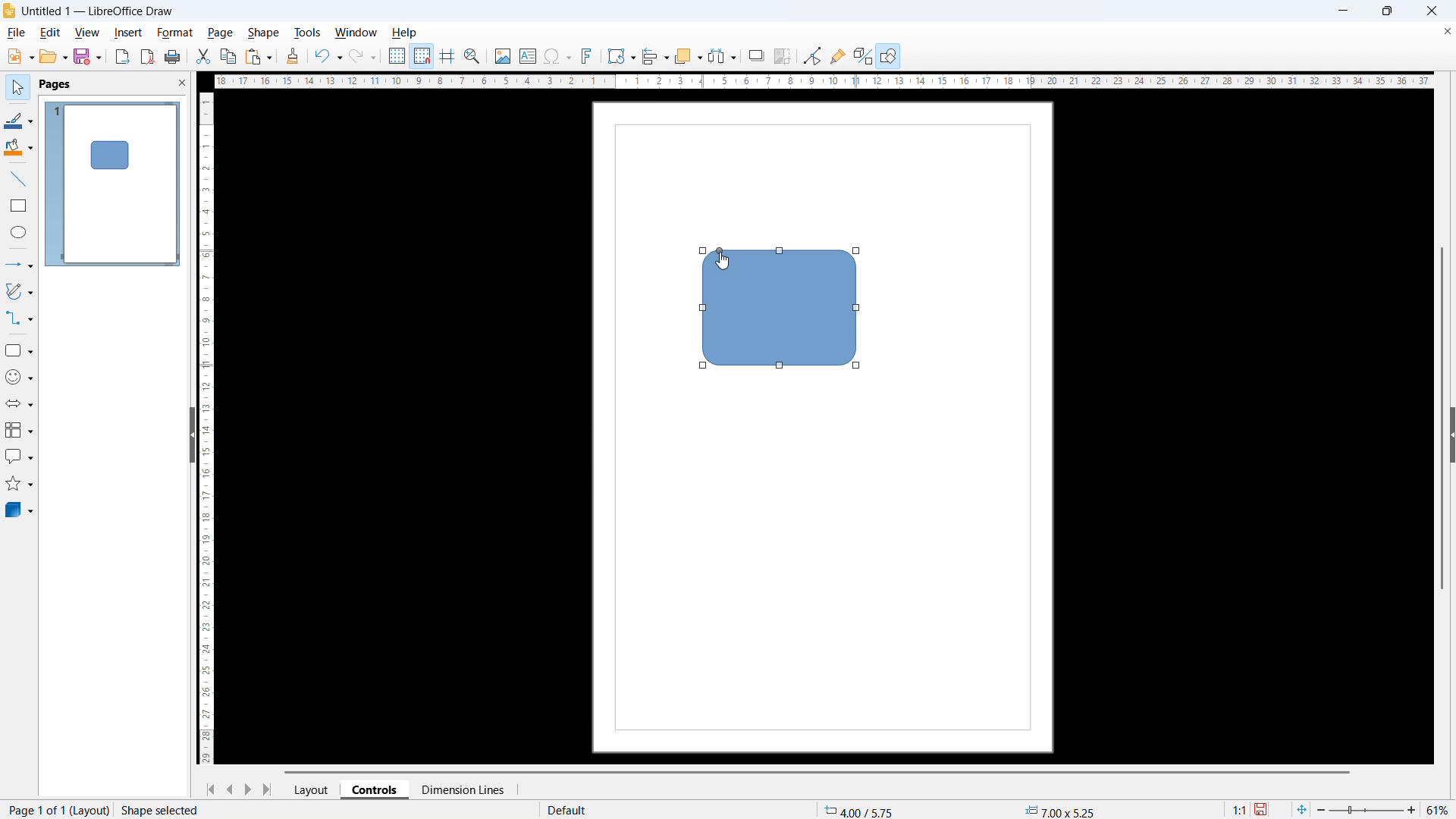 Image resolution: width=1456 pixels, height=819 pixels. What do you see at coordinates (502, 55) in the screenshot?
I see `Insert image ` at bounding box center [502, 55].